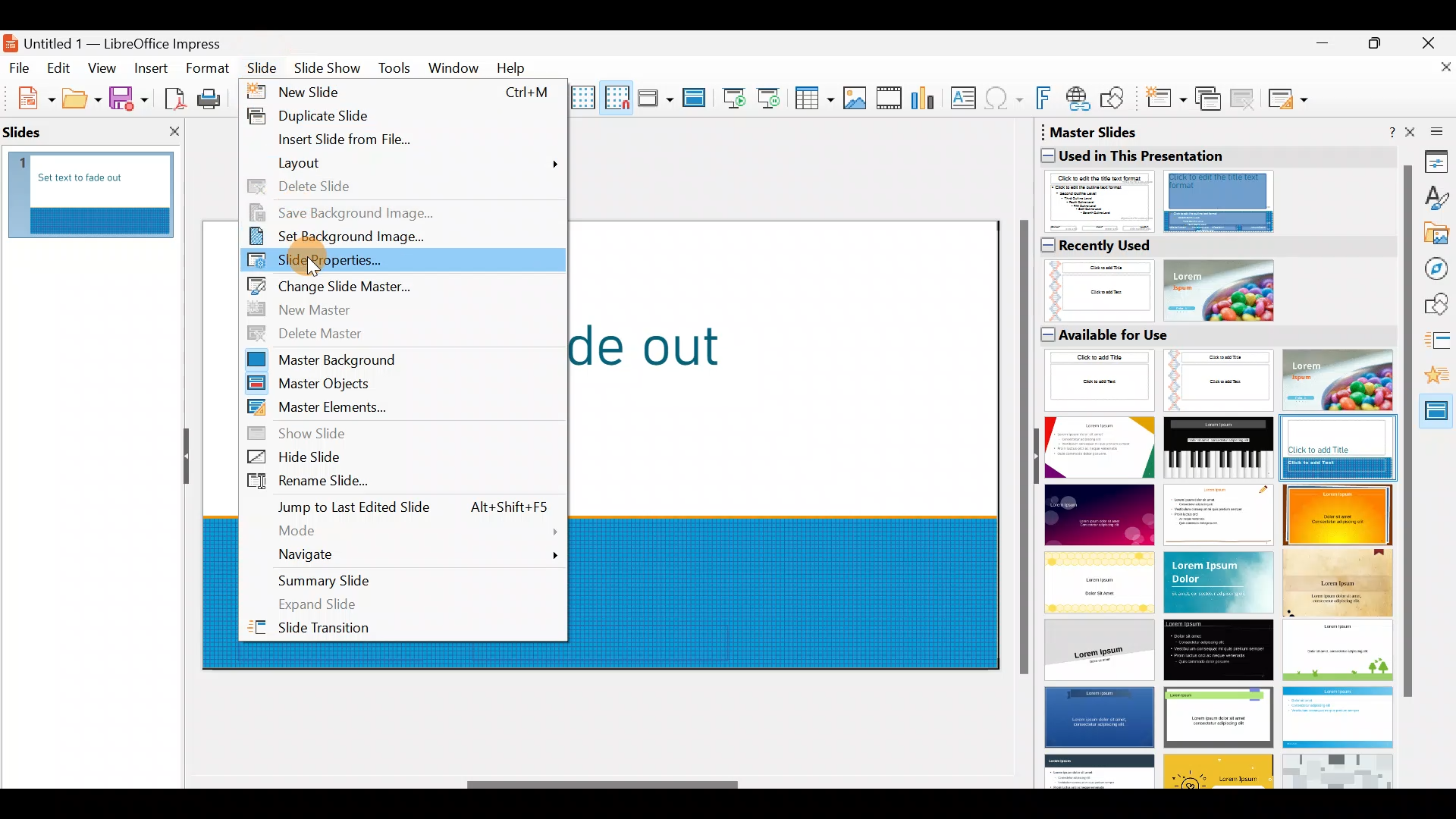  Describe the element at coordinates (514, 67) in the screenshot. I see `Help` at that location.